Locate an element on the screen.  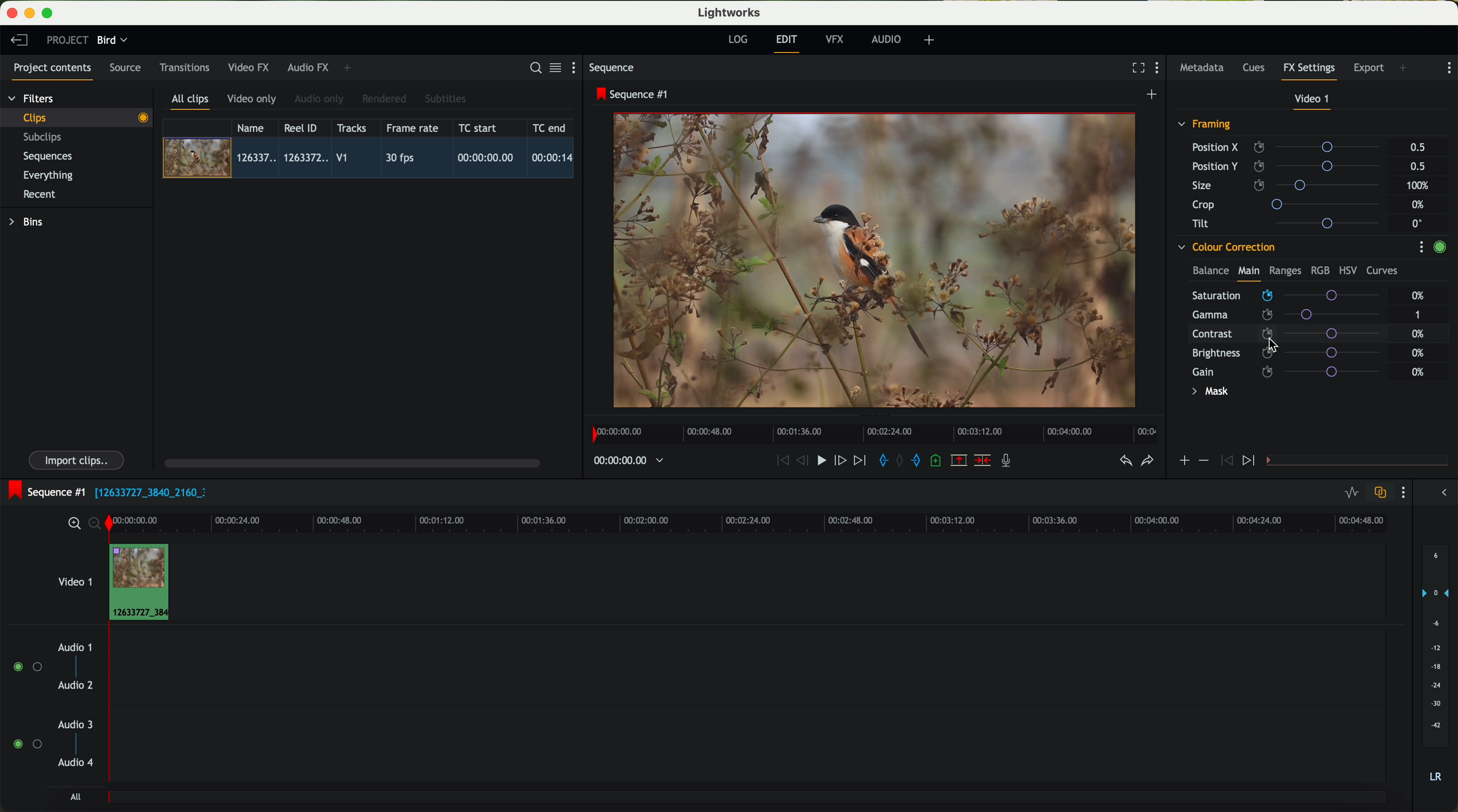
VFX is located at coordinates (837, 40).